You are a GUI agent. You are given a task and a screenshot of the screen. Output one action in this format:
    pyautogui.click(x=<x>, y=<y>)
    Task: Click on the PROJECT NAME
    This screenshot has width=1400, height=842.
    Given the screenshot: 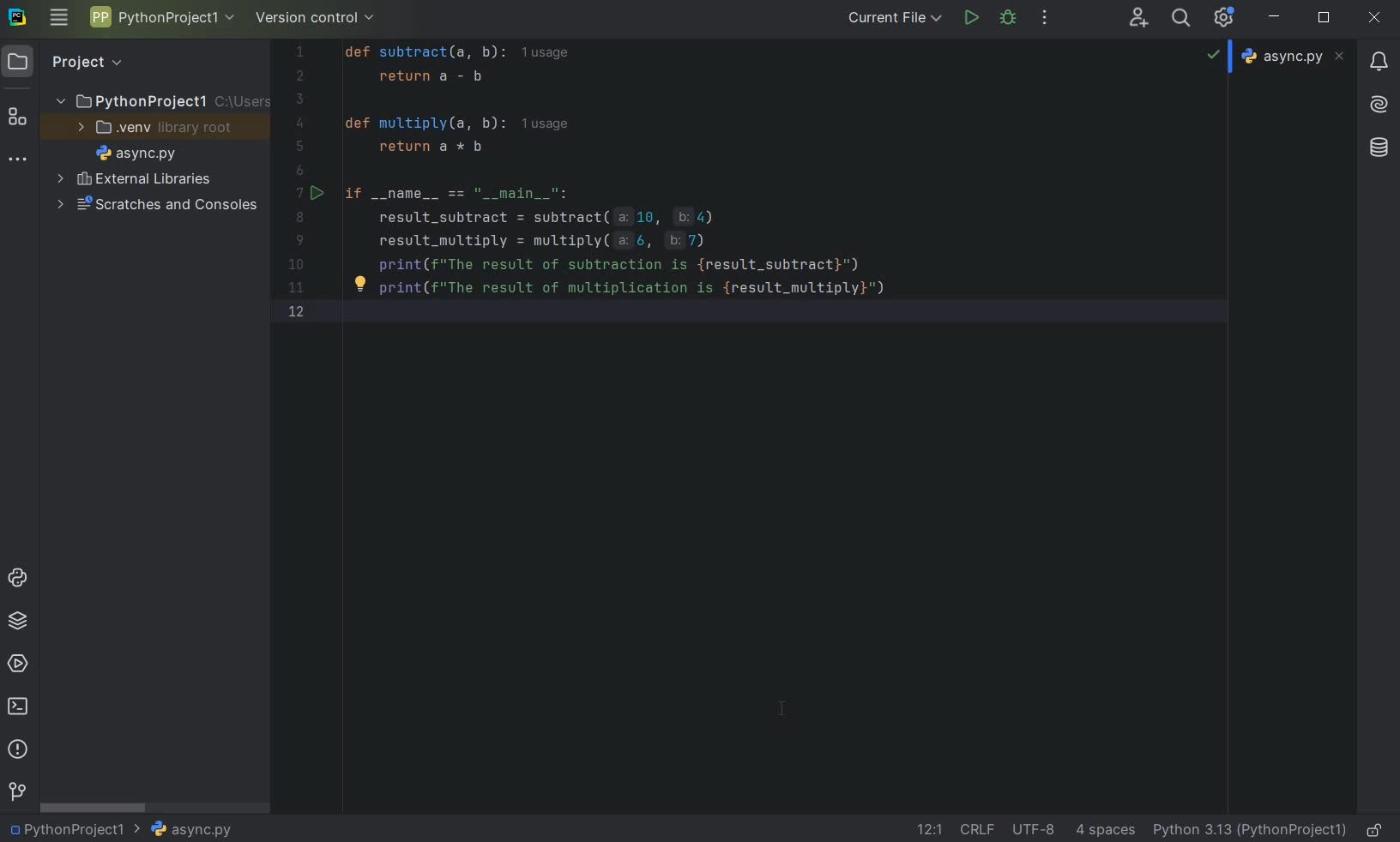 What is the action you would take?
    pyautogui.click(x=161, y=20)
    